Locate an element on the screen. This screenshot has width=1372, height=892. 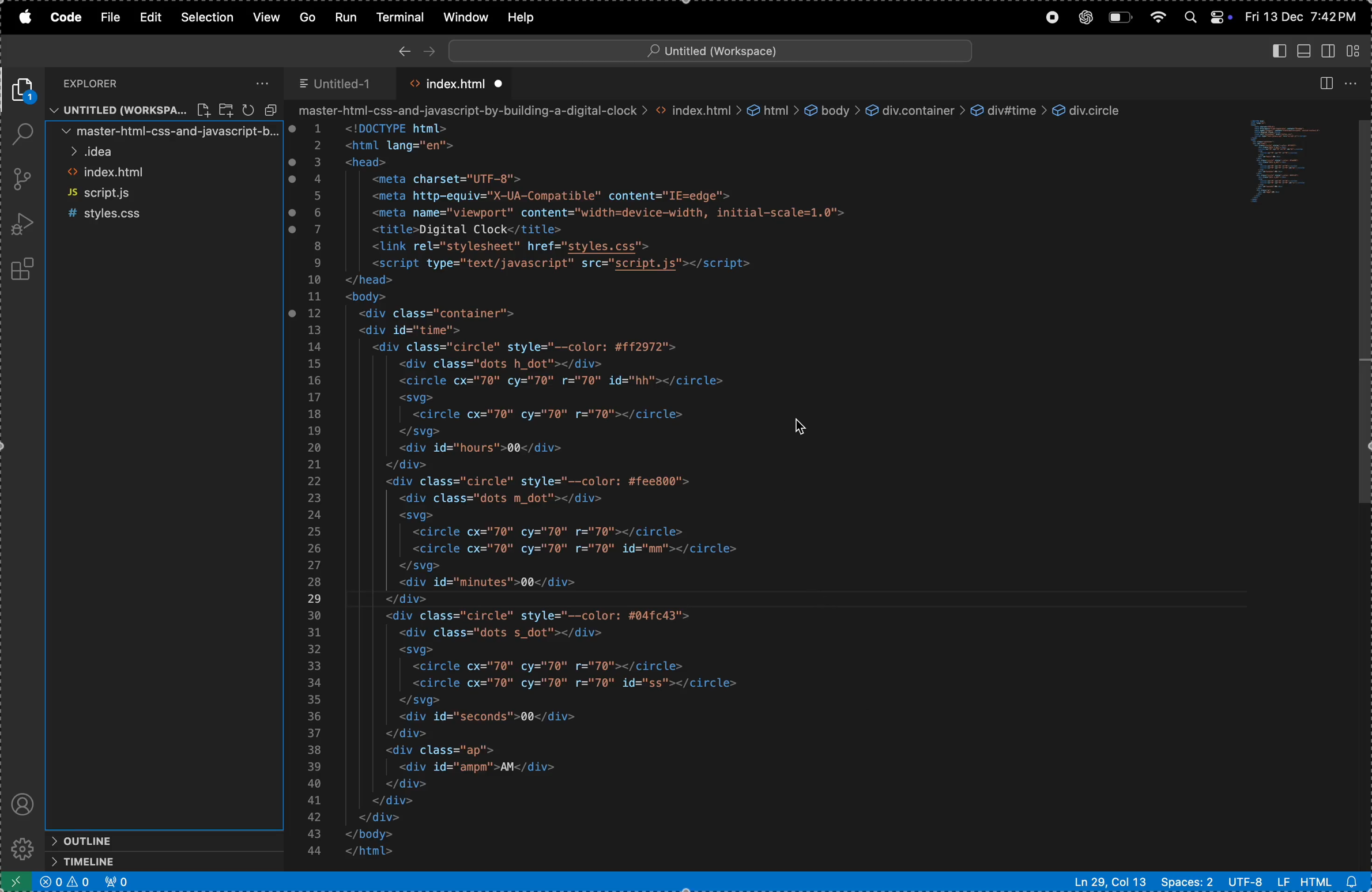
no problems is located at coordinates (65, 883).